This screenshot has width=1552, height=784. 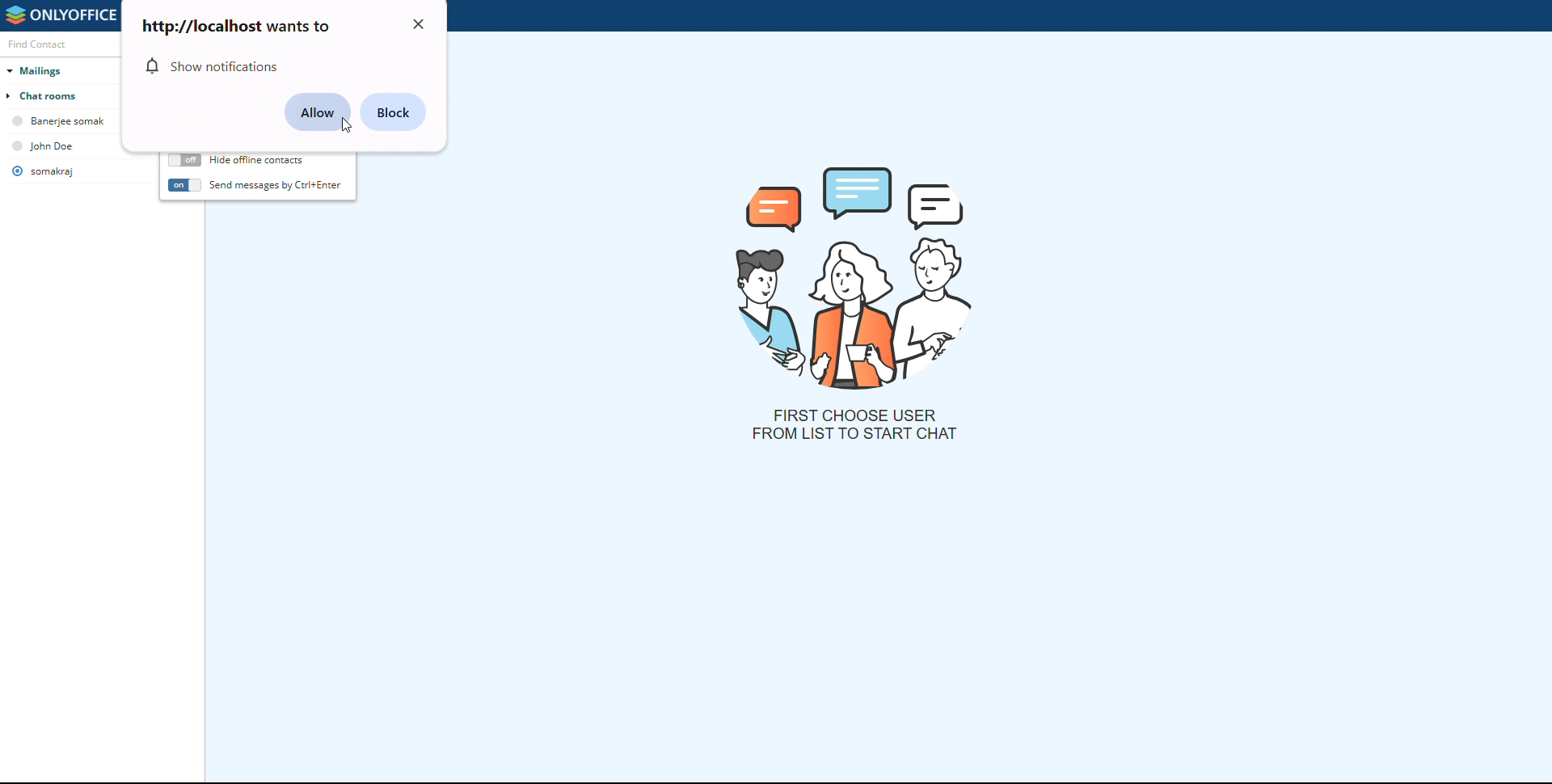 What do you see at coordinates (54, 145) in the screenshot?
I see `john dow` at bounding box center [54, 145].